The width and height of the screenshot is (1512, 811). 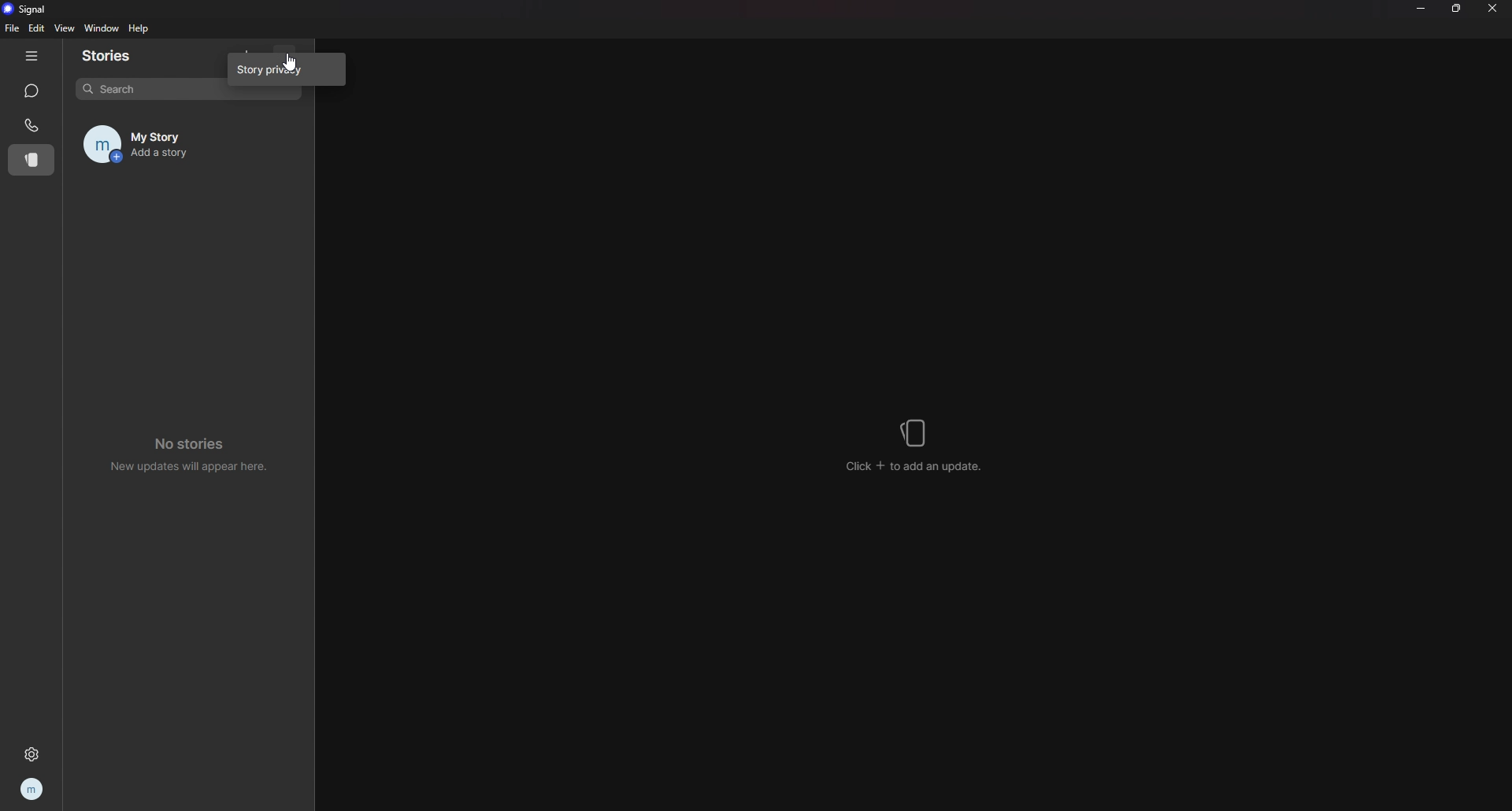 I want to click on stories, so click(x=917, y=433).